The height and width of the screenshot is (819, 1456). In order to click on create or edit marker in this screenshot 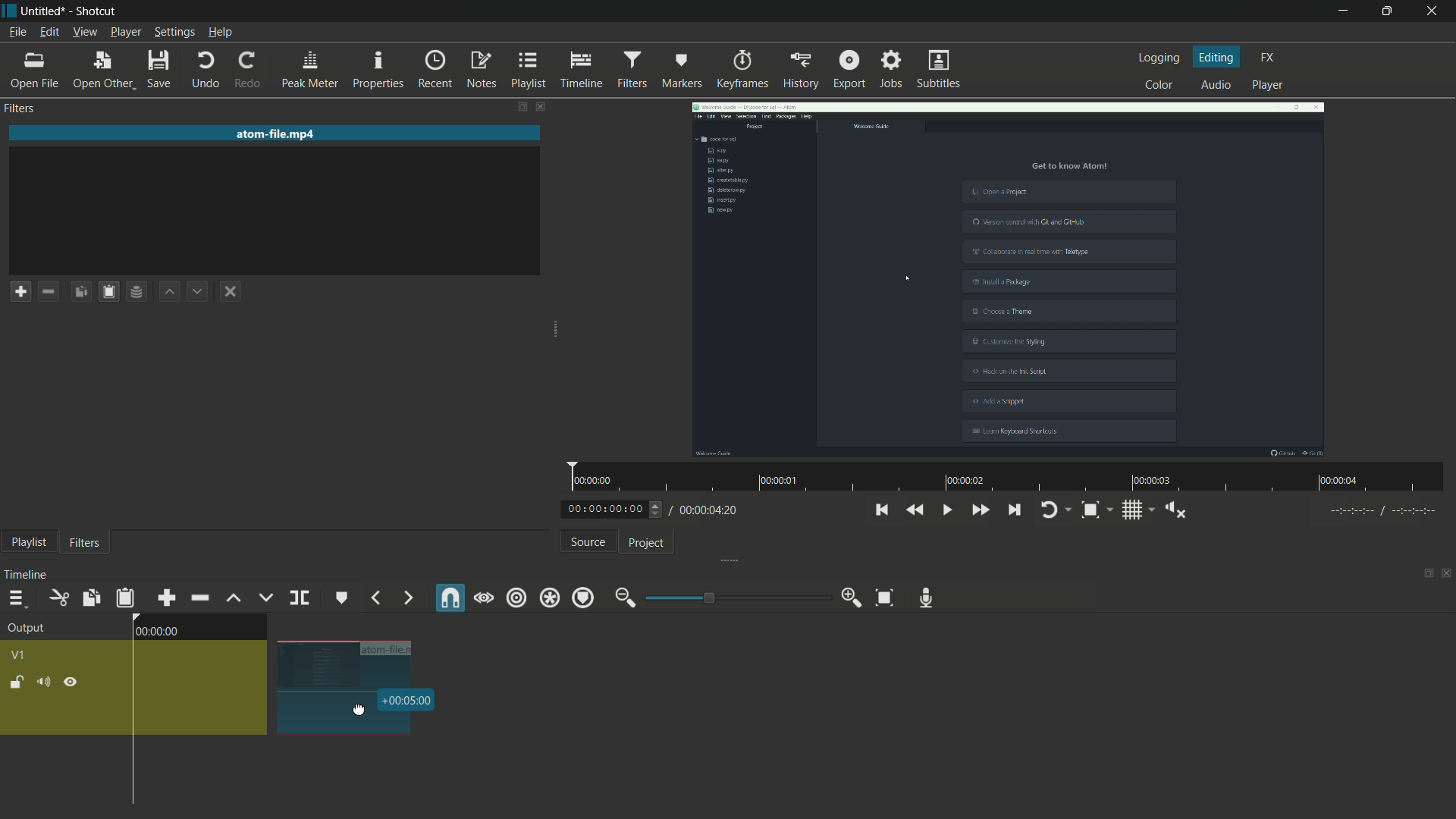, I will do `click(339, 598)`.